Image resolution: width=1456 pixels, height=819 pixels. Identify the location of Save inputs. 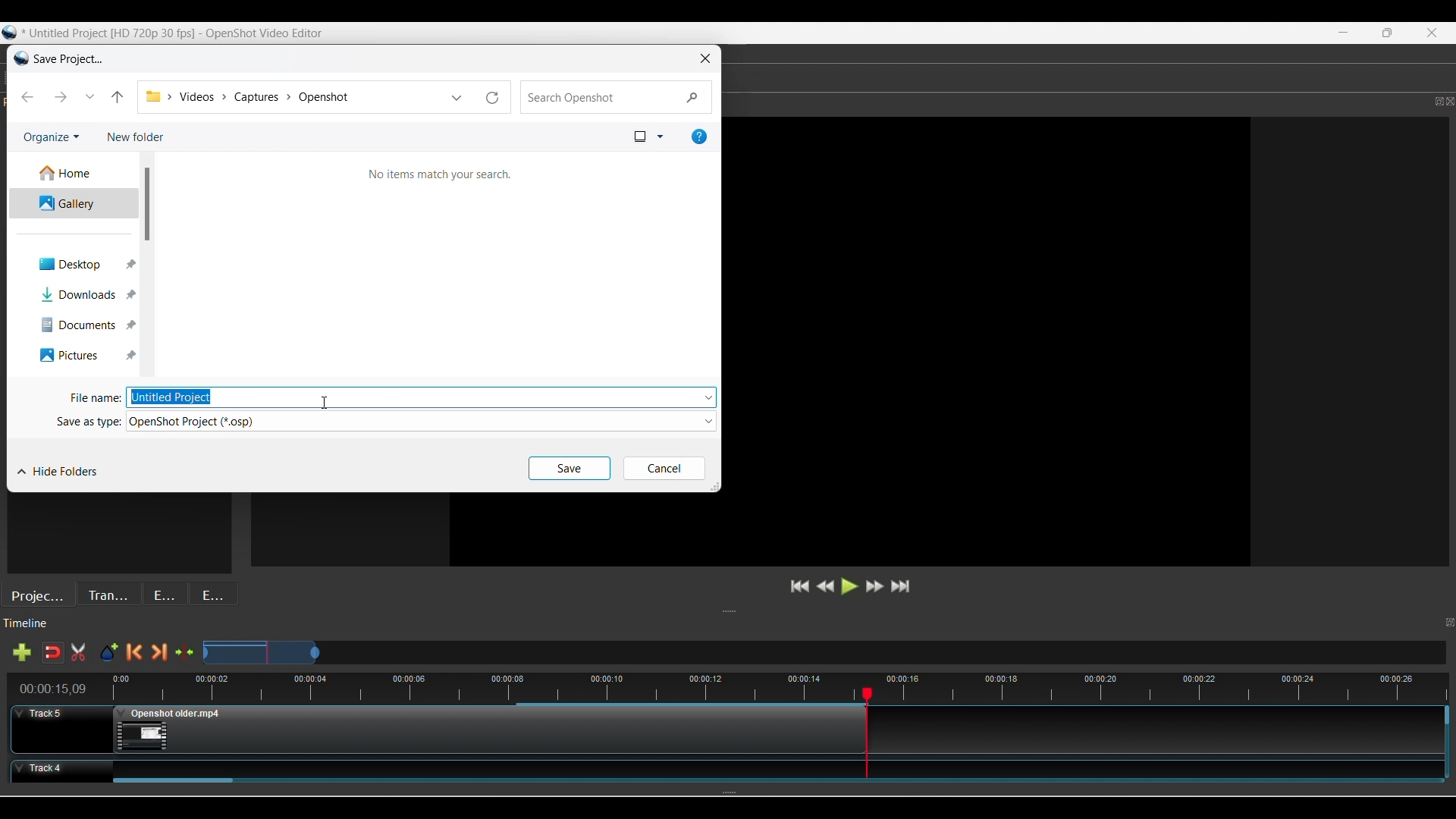
(569, 468).